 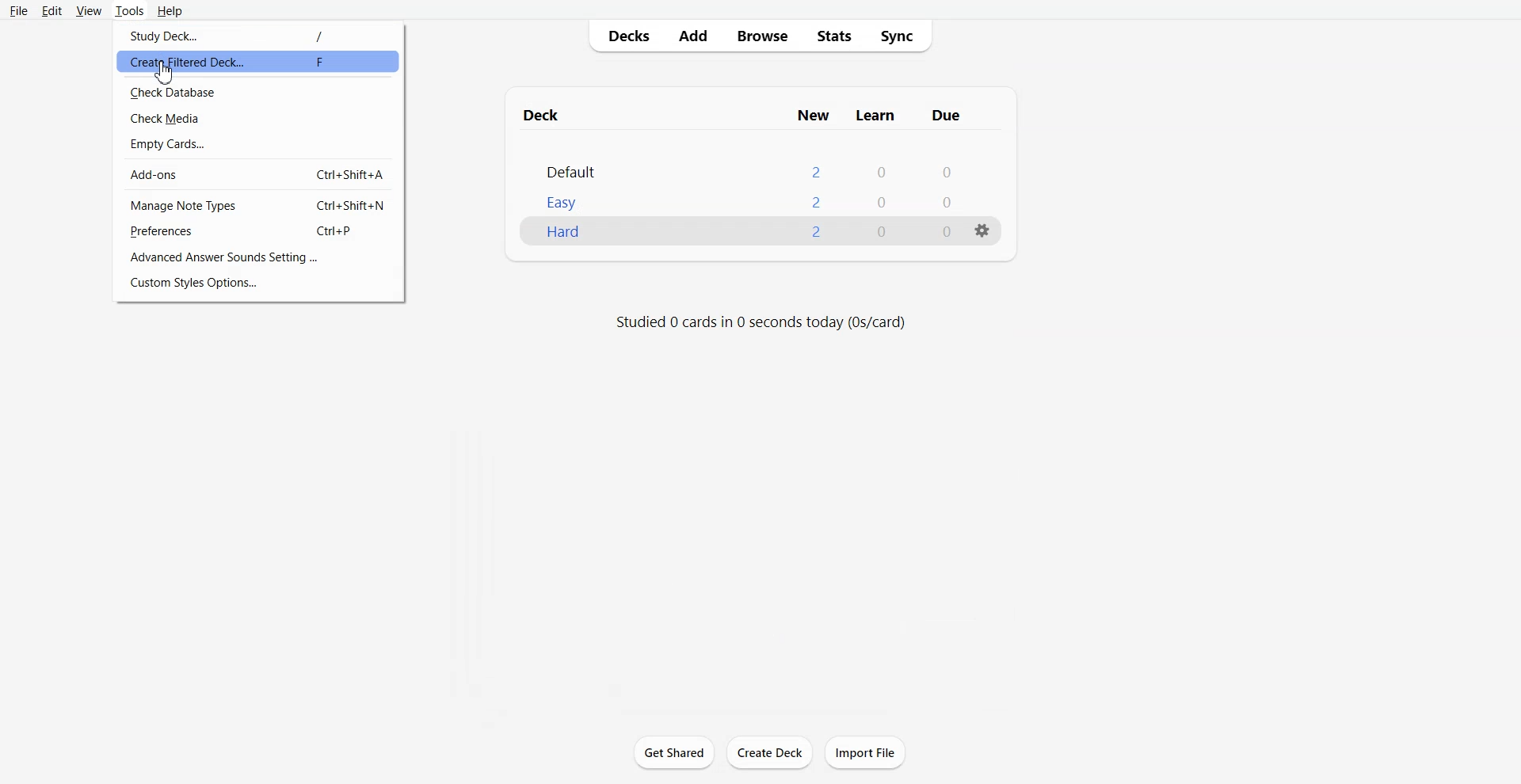 I want to click on Study Deck, so click(x=257, y=34).